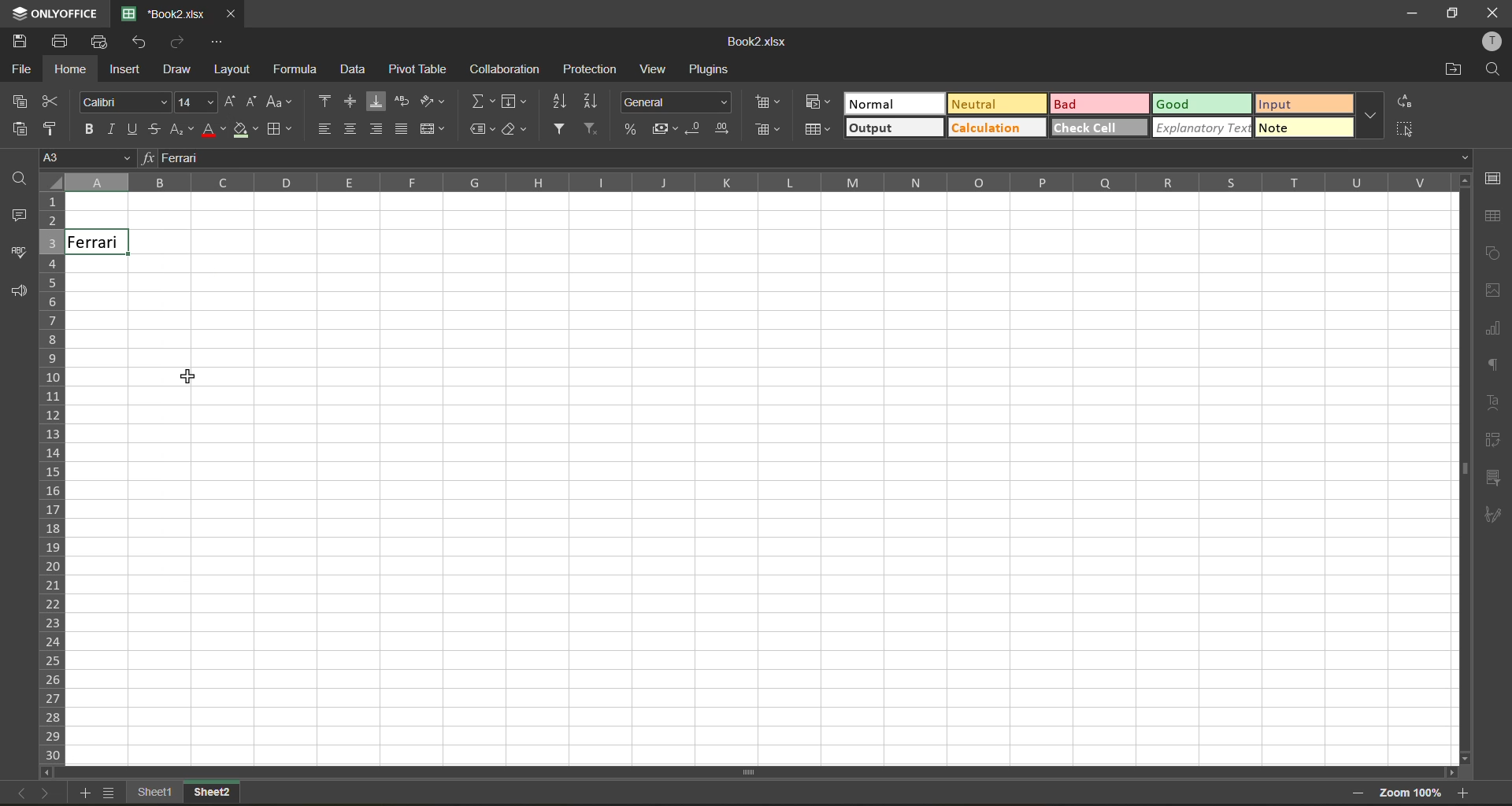  I want to click on replace, so click(1403, 101).